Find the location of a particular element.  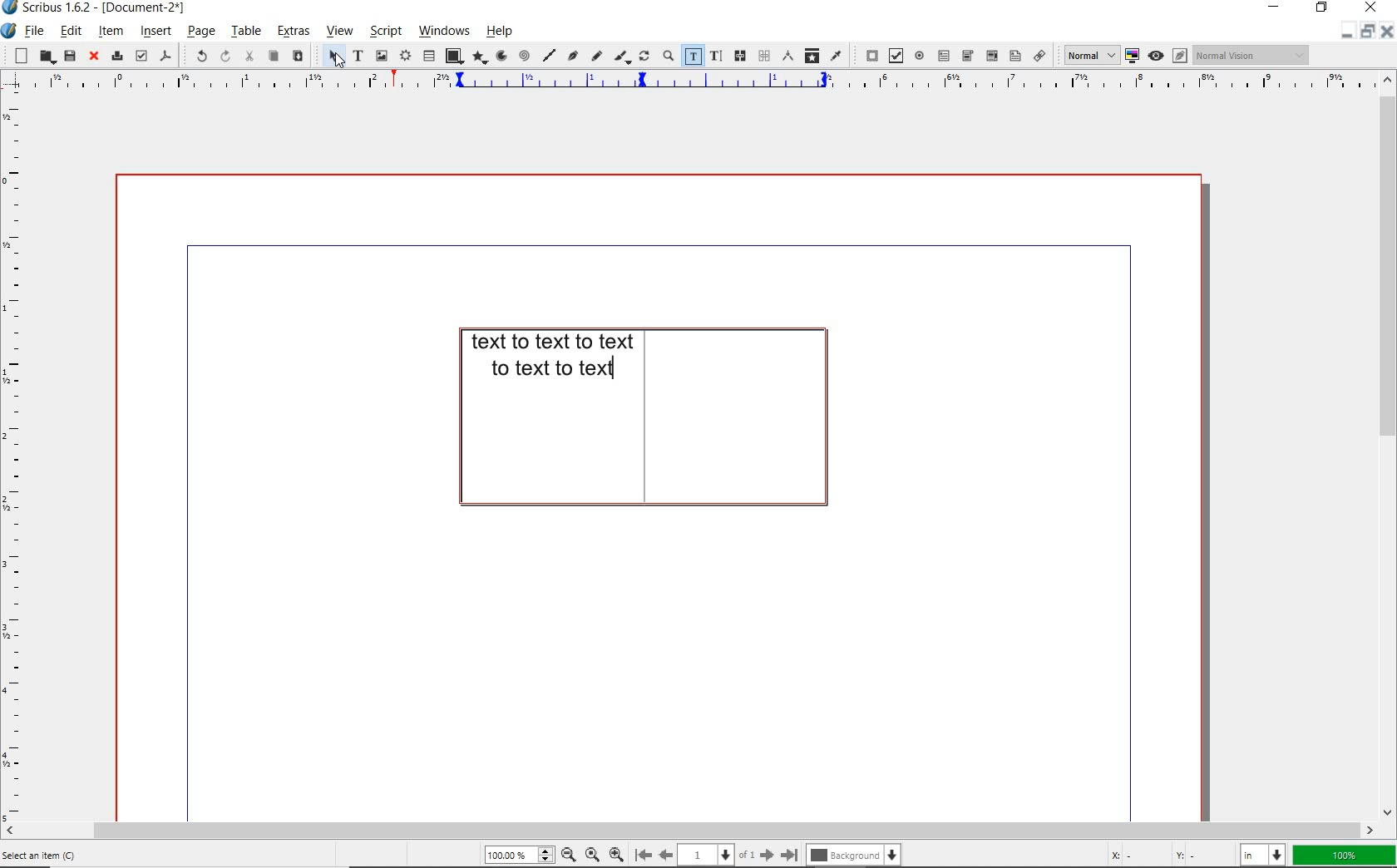

file is located at coordinates (32, 32).